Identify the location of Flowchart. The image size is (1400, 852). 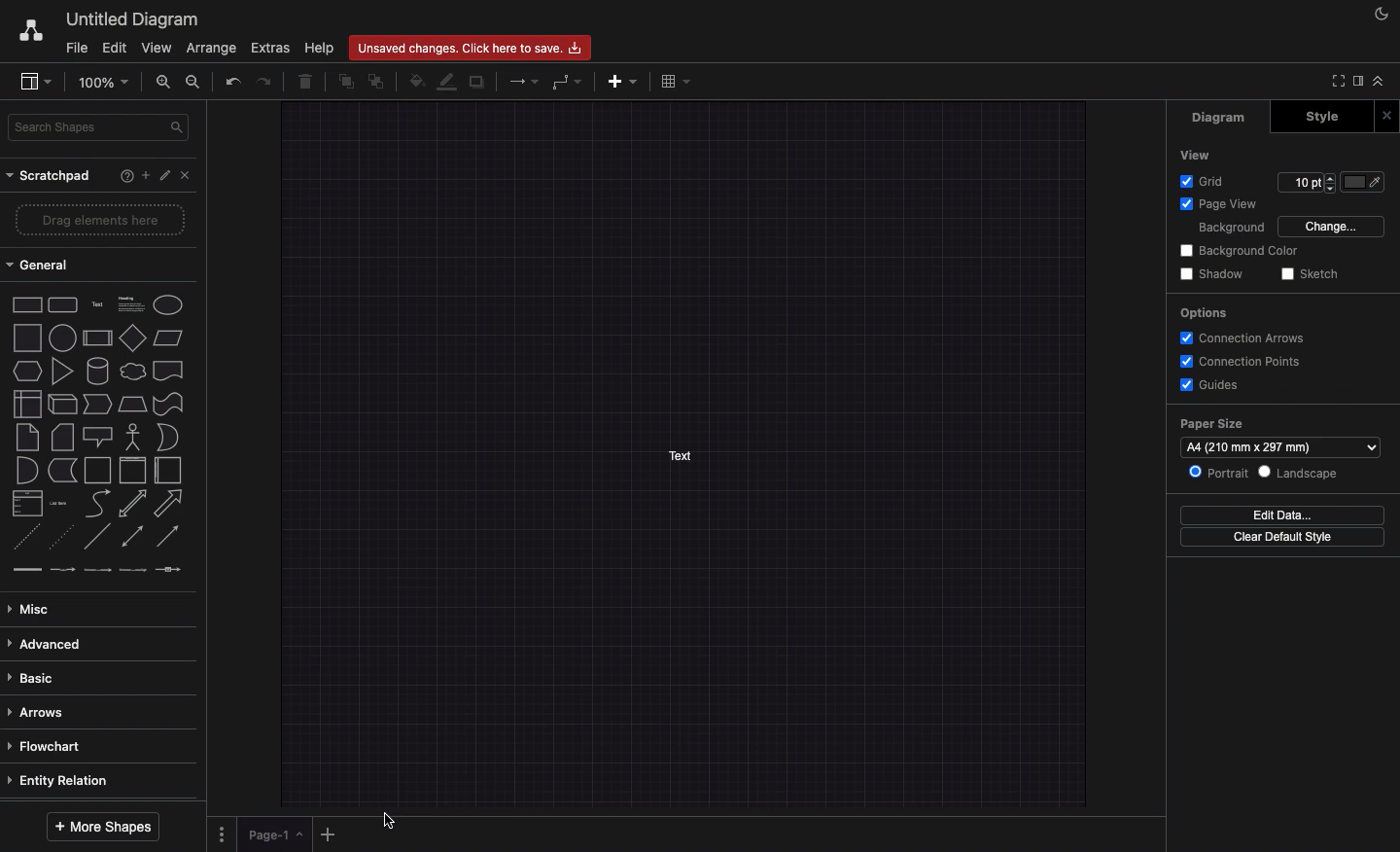
(59, 745).